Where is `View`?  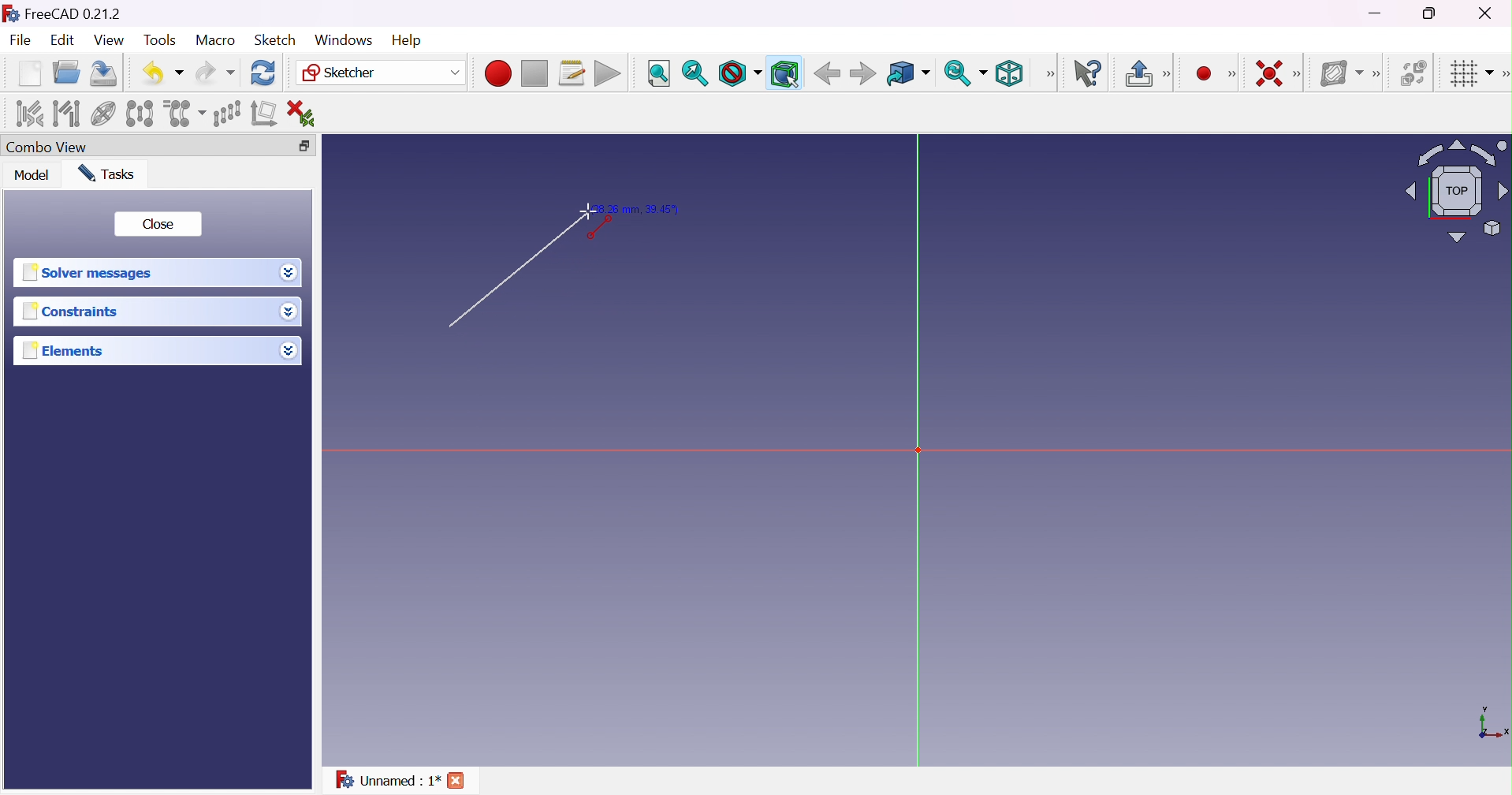 View is located at coordinates (109, 40).